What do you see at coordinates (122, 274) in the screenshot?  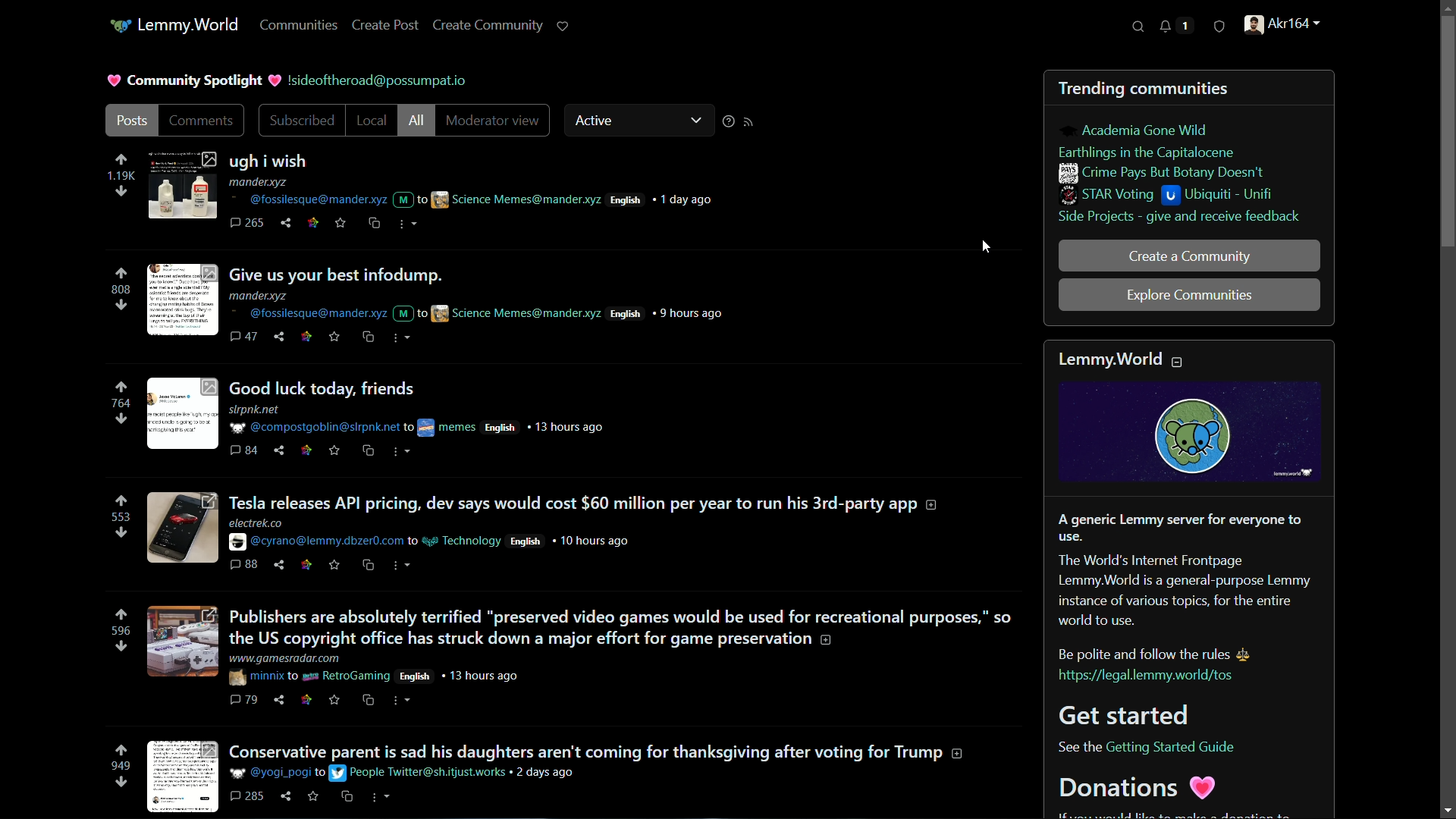 I see `upvote` at bounding box center [122, 274].